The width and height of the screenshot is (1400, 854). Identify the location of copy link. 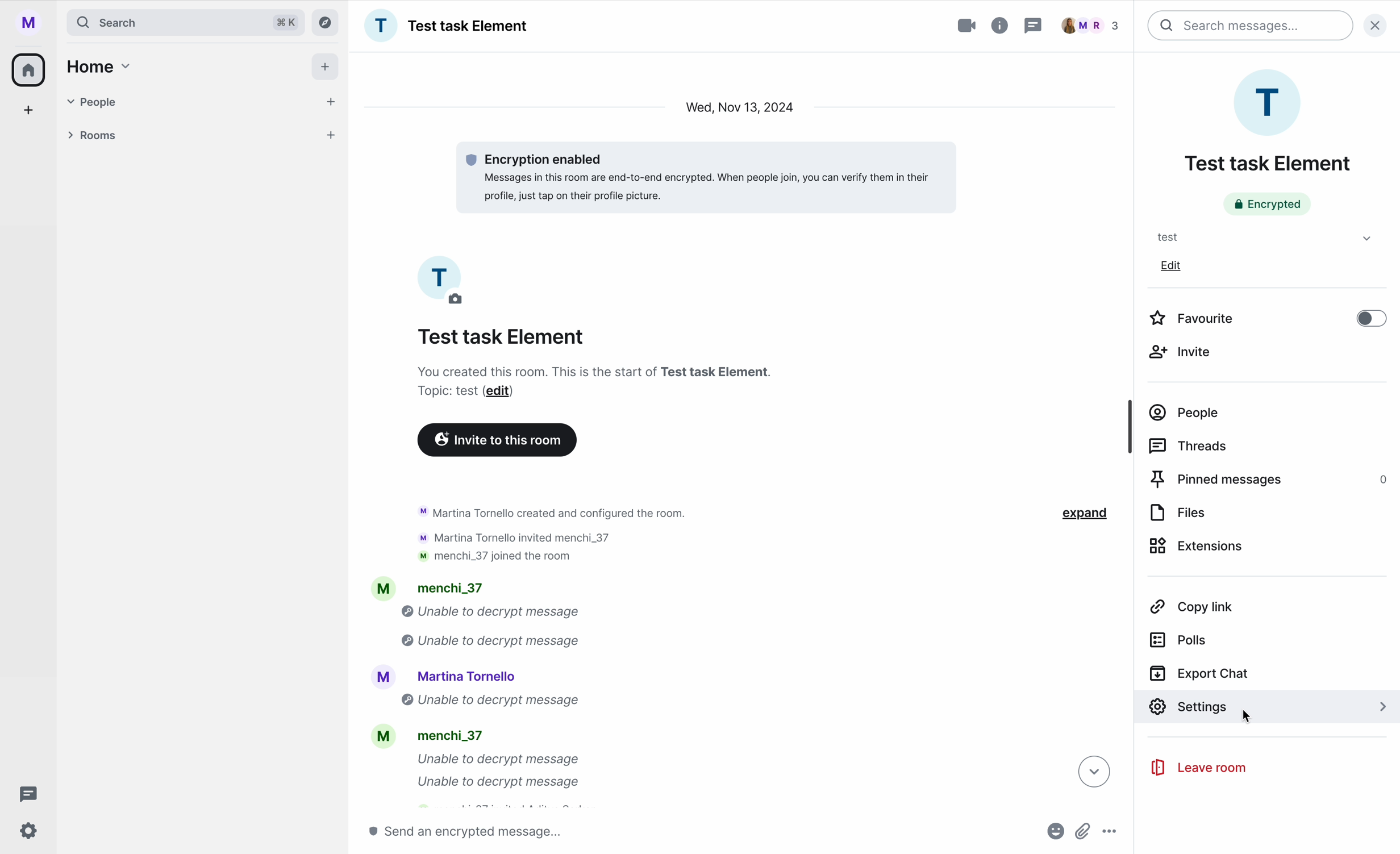
(1191, 607).